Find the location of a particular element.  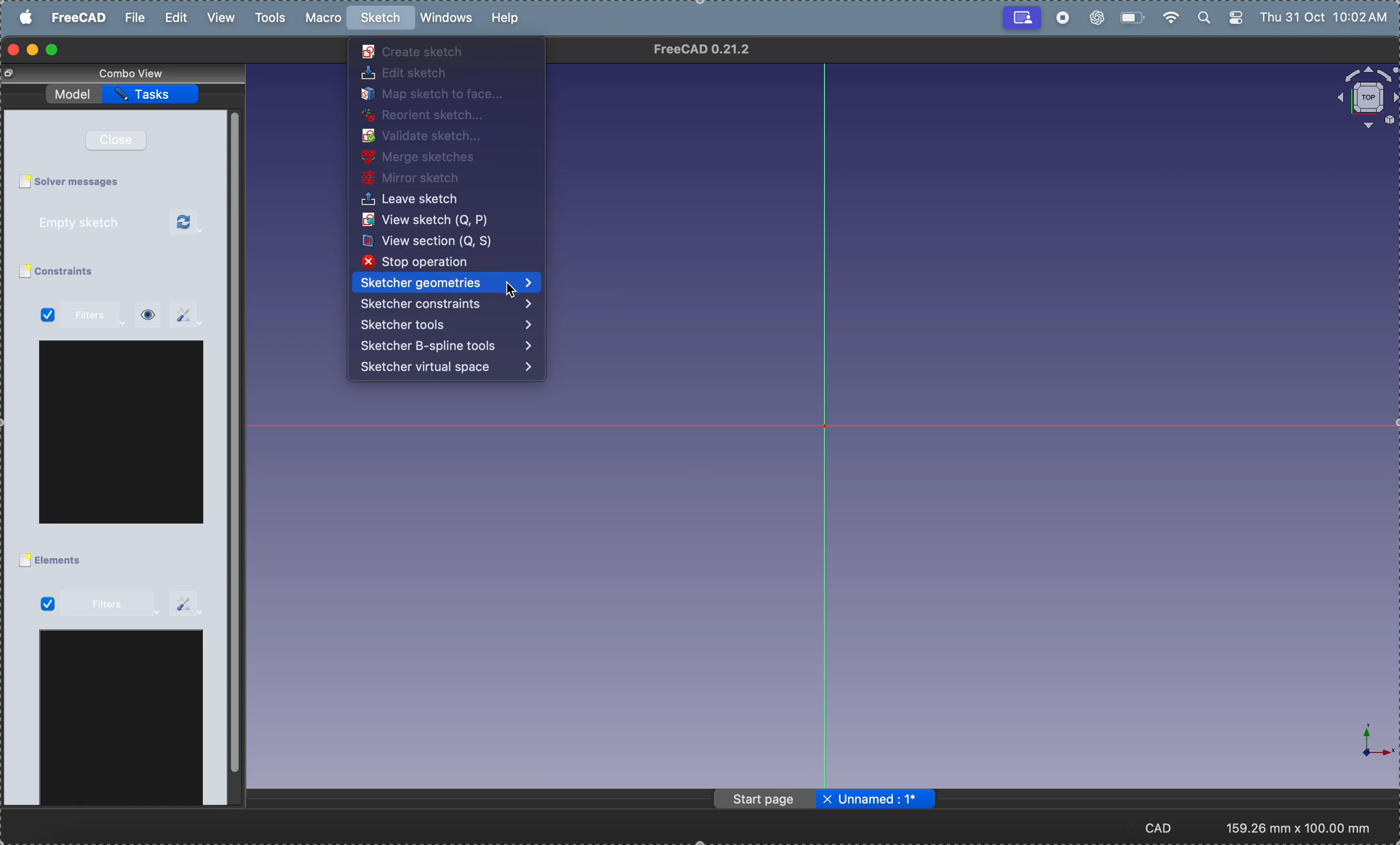

Checkbox is located at coordinates (24, 182).